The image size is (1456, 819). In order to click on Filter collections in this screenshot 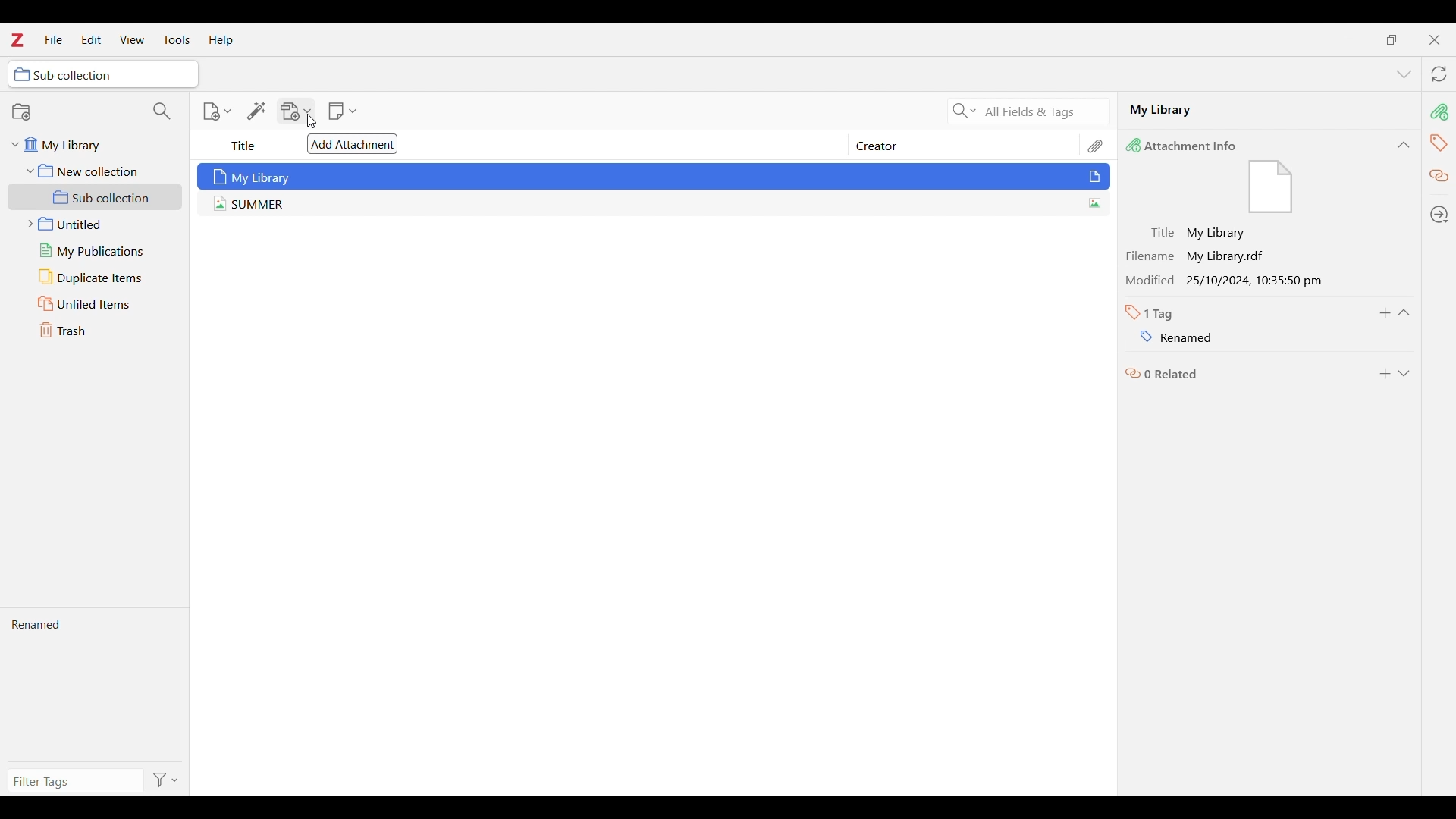, I will do `click(162, 111)`.